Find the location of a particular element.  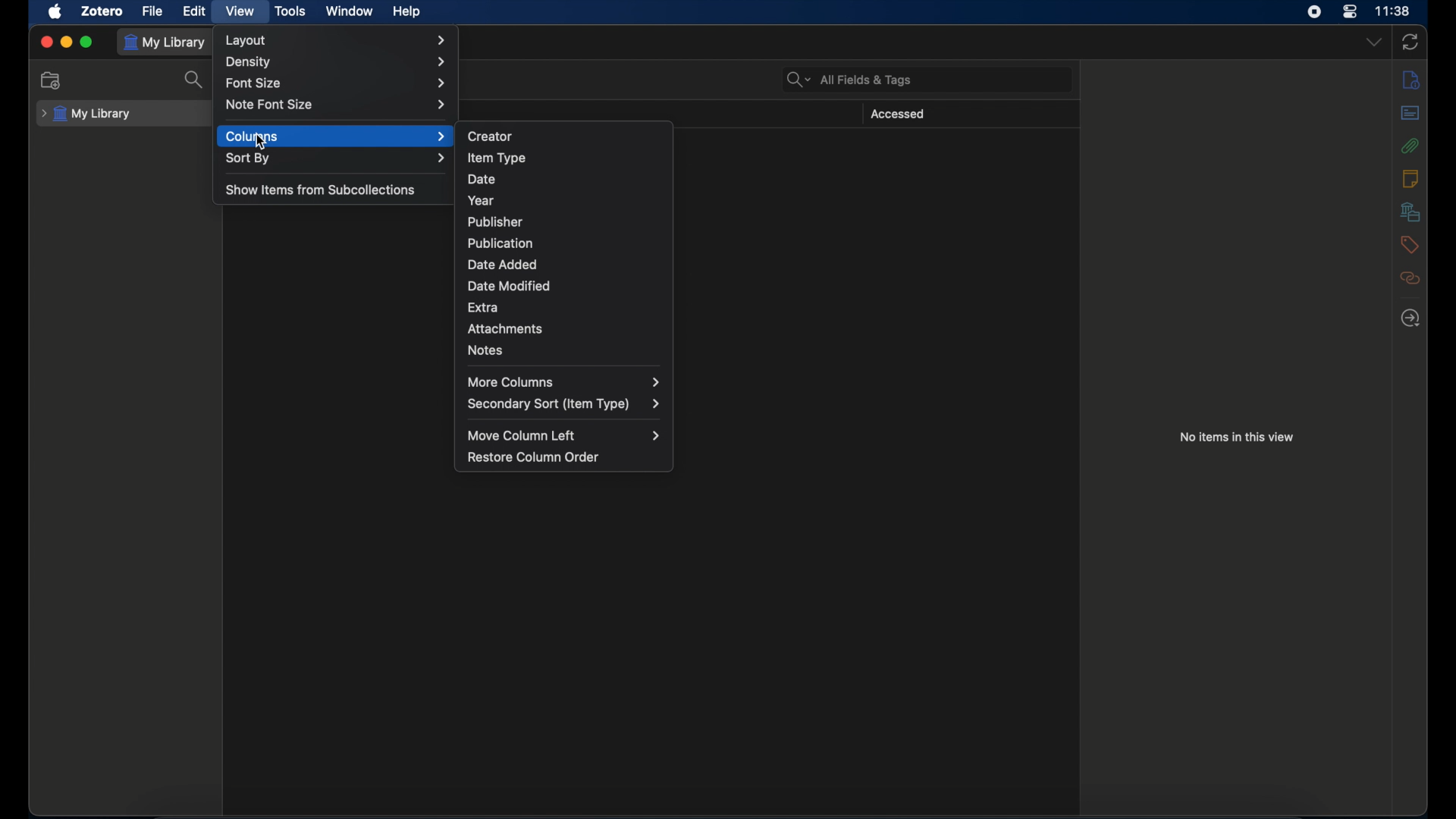

dropdown is located at coordinates (1373, 42).